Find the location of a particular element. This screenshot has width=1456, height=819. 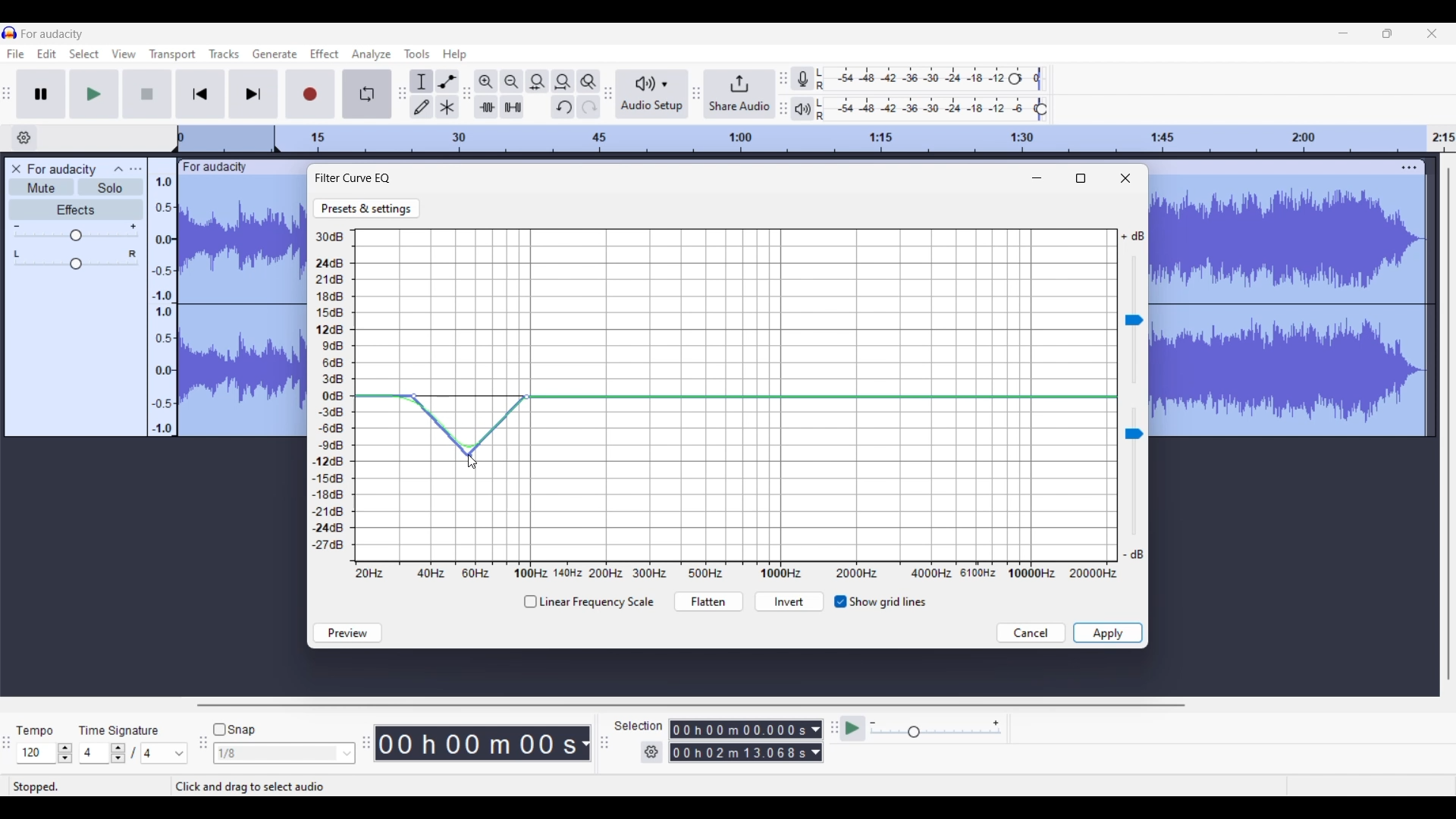

Effects is located at coordinates (76, 209).